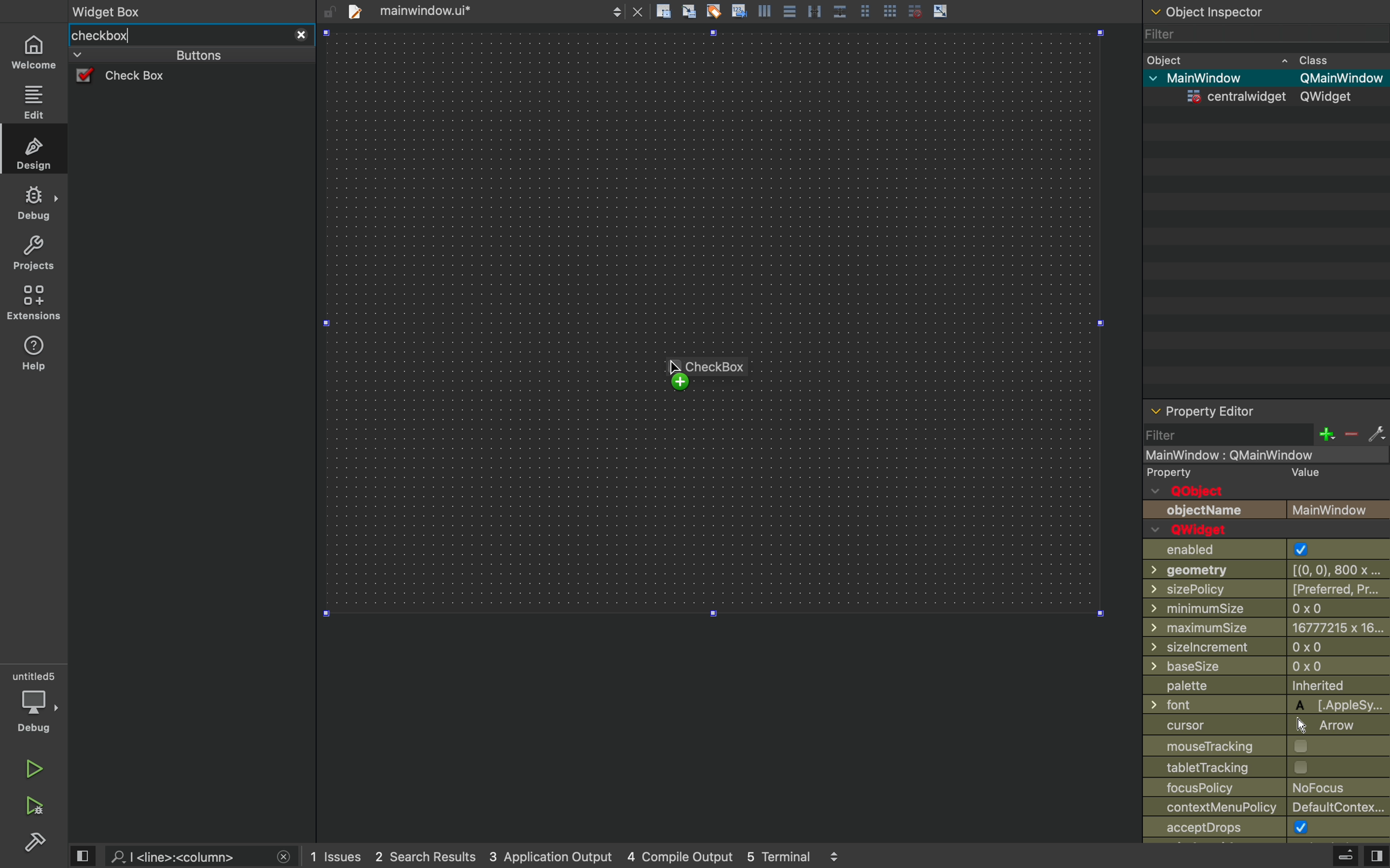  Describe the element at coordinates (436, 11) in the screenshot. I see `file tab` at that location.